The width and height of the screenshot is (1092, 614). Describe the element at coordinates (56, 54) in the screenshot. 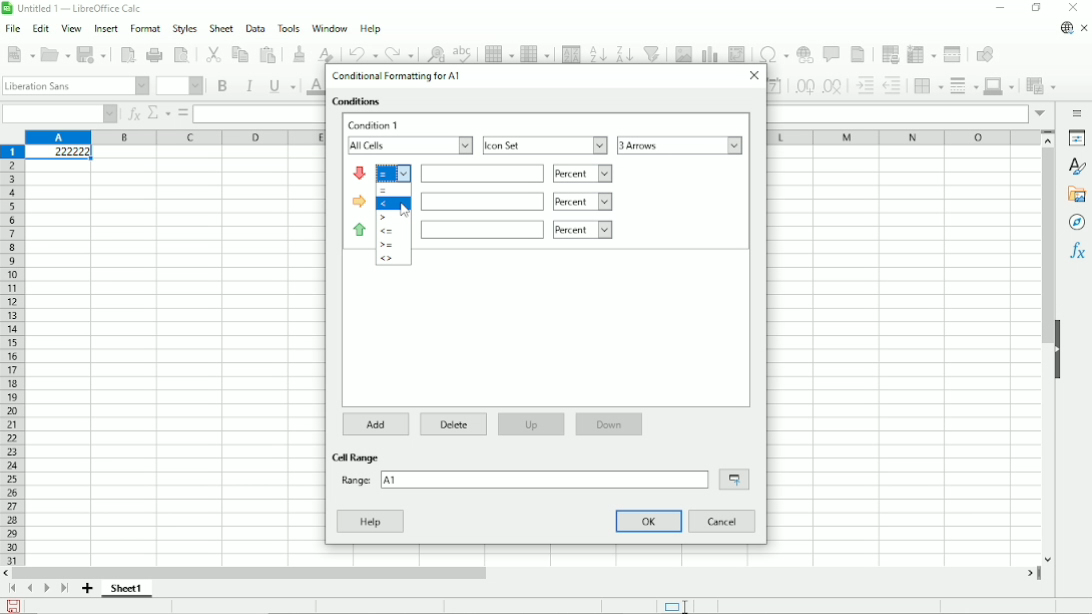

I see `Open` at that location.